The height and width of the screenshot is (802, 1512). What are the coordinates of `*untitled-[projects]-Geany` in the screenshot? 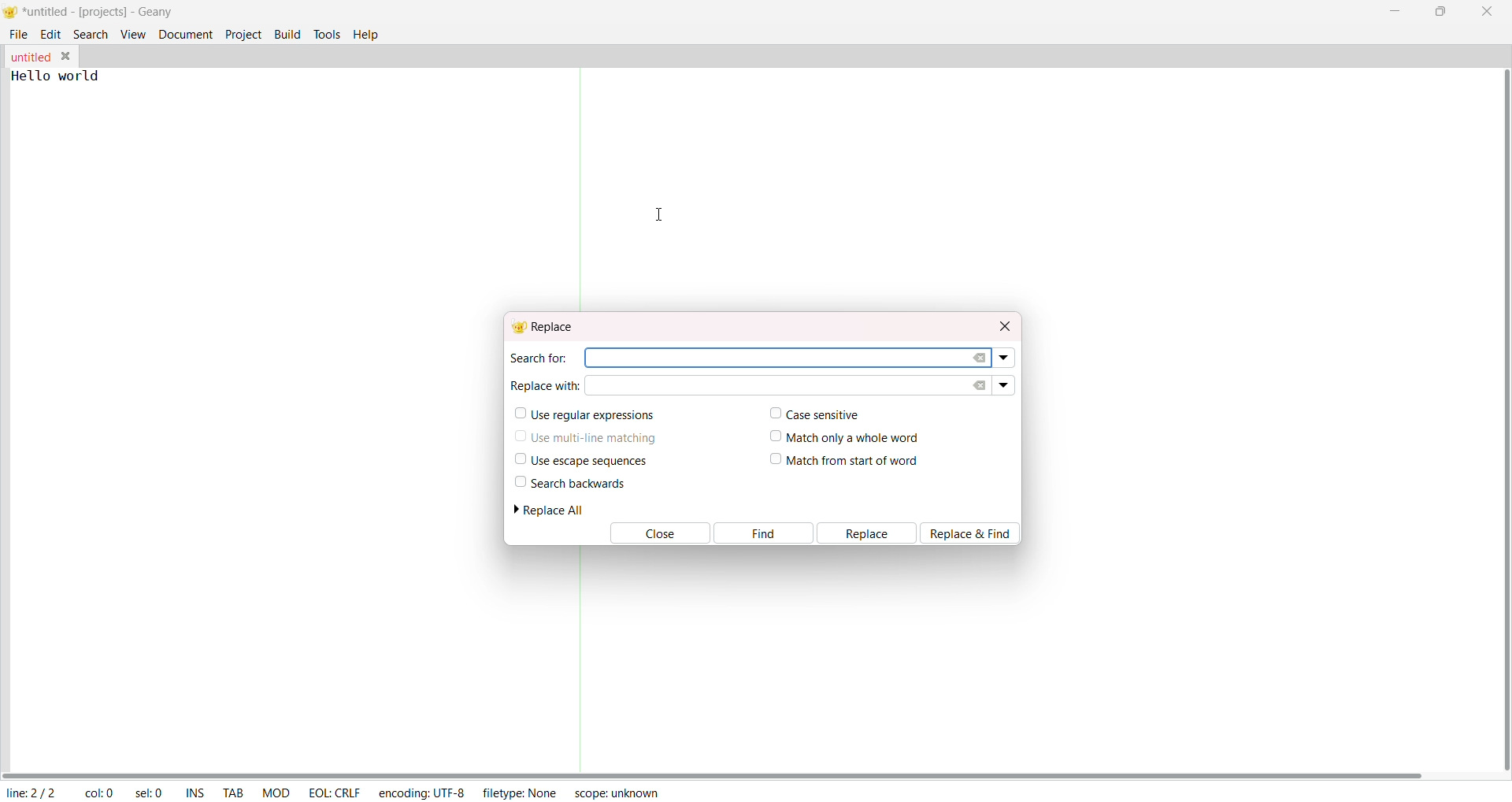 It's located at (103, 10).